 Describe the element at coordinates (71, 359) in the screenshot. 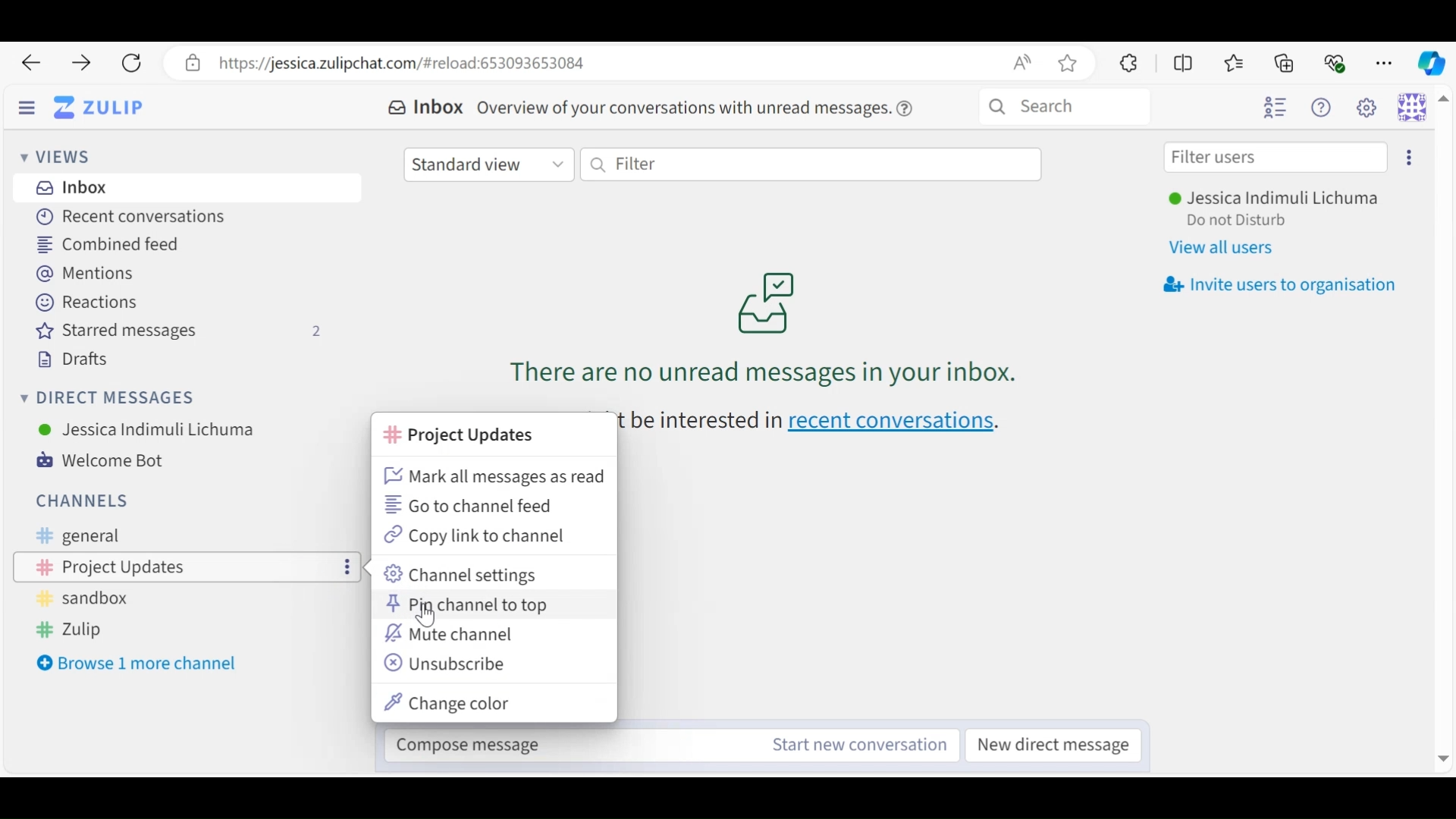

I see `Drafts` at that location.